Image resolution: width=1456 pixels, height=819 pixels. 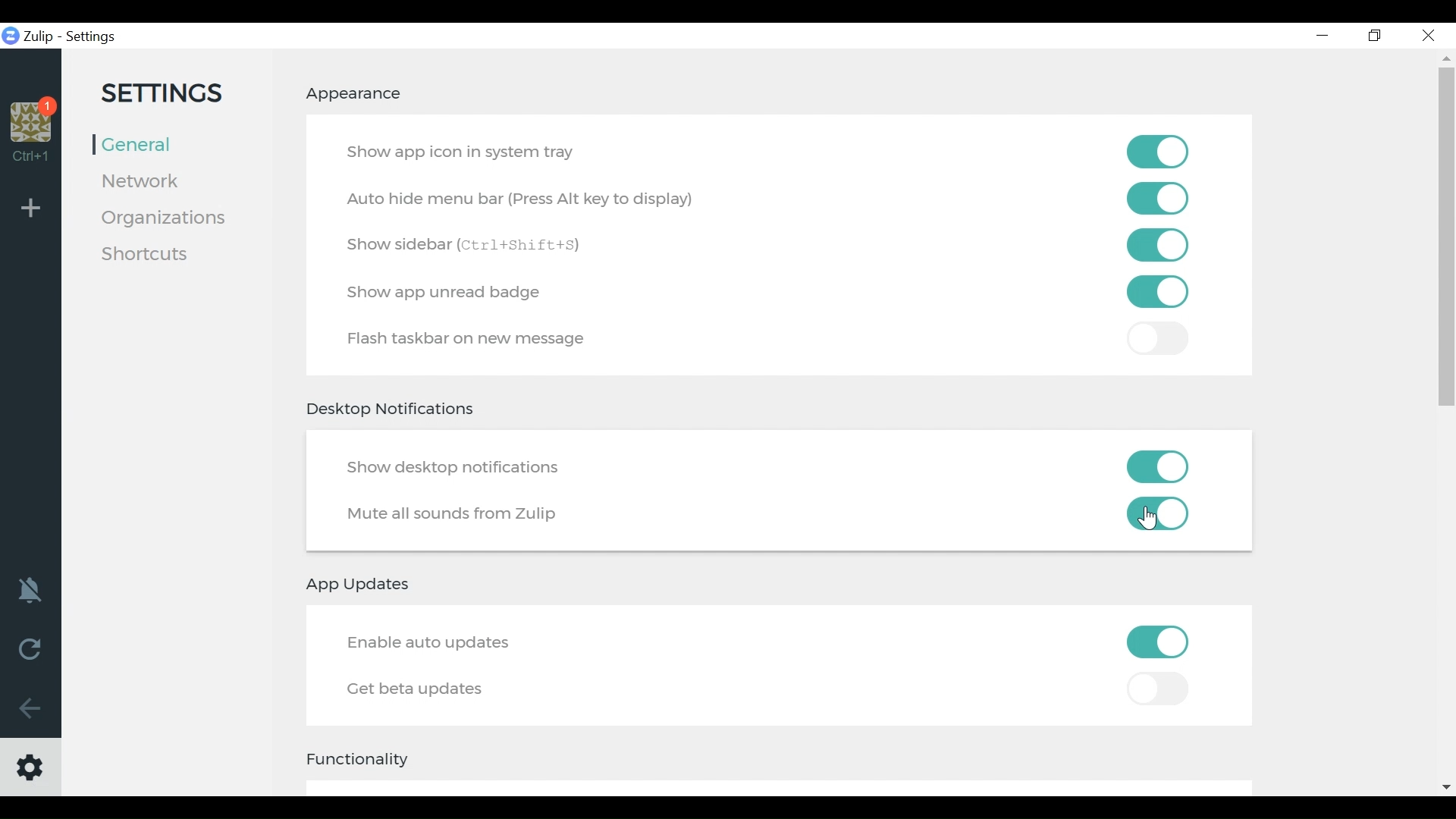 What do you see at coordinates (393, 411) in the screenshot?
I see `Desktop Notifications` at bounding box center [393, 411].